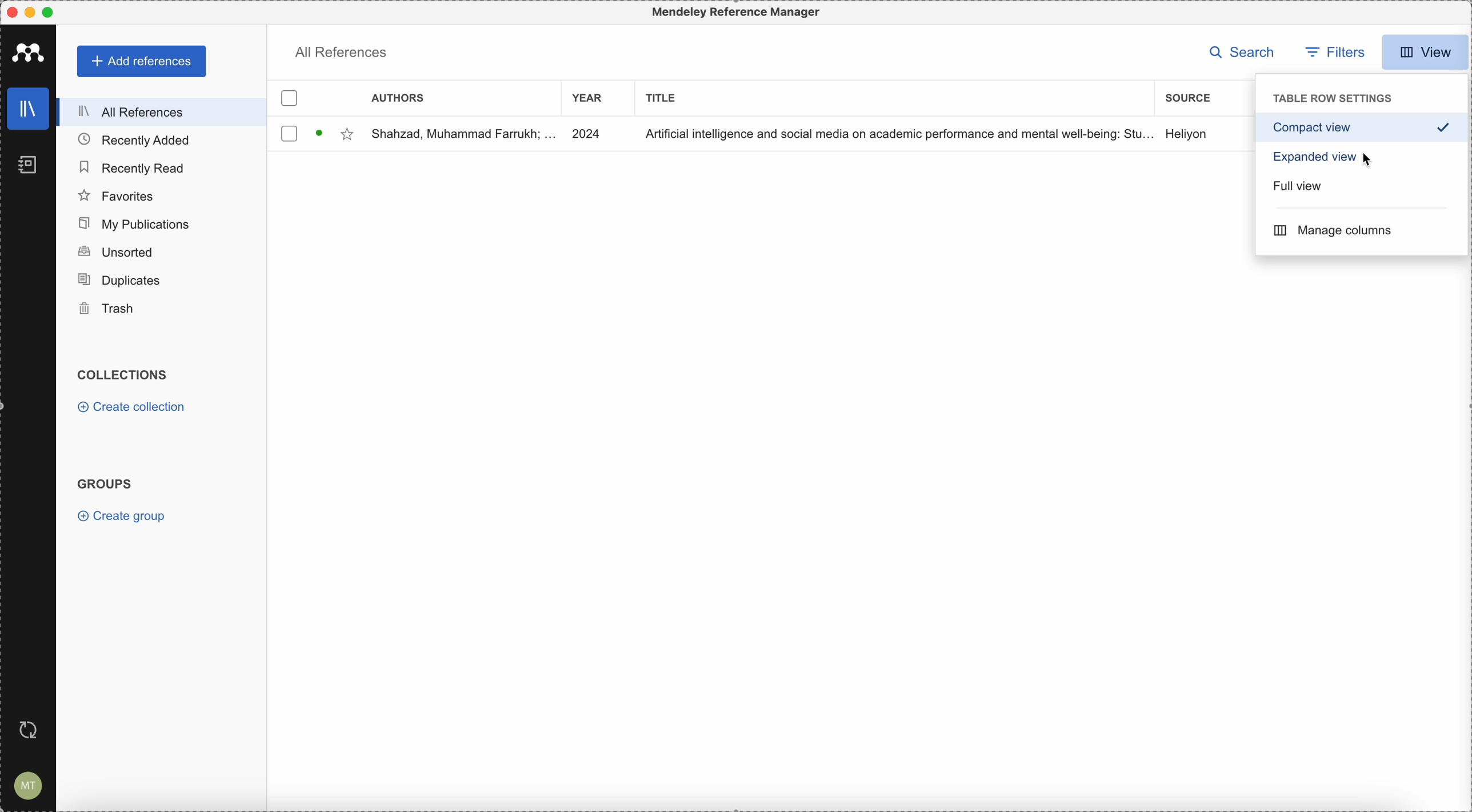 Image resolution: width=1472 pixels, height=812 pixels. Describe the element at coordinates (1362, 128) in the screenshot. I see `compact view` at that location.